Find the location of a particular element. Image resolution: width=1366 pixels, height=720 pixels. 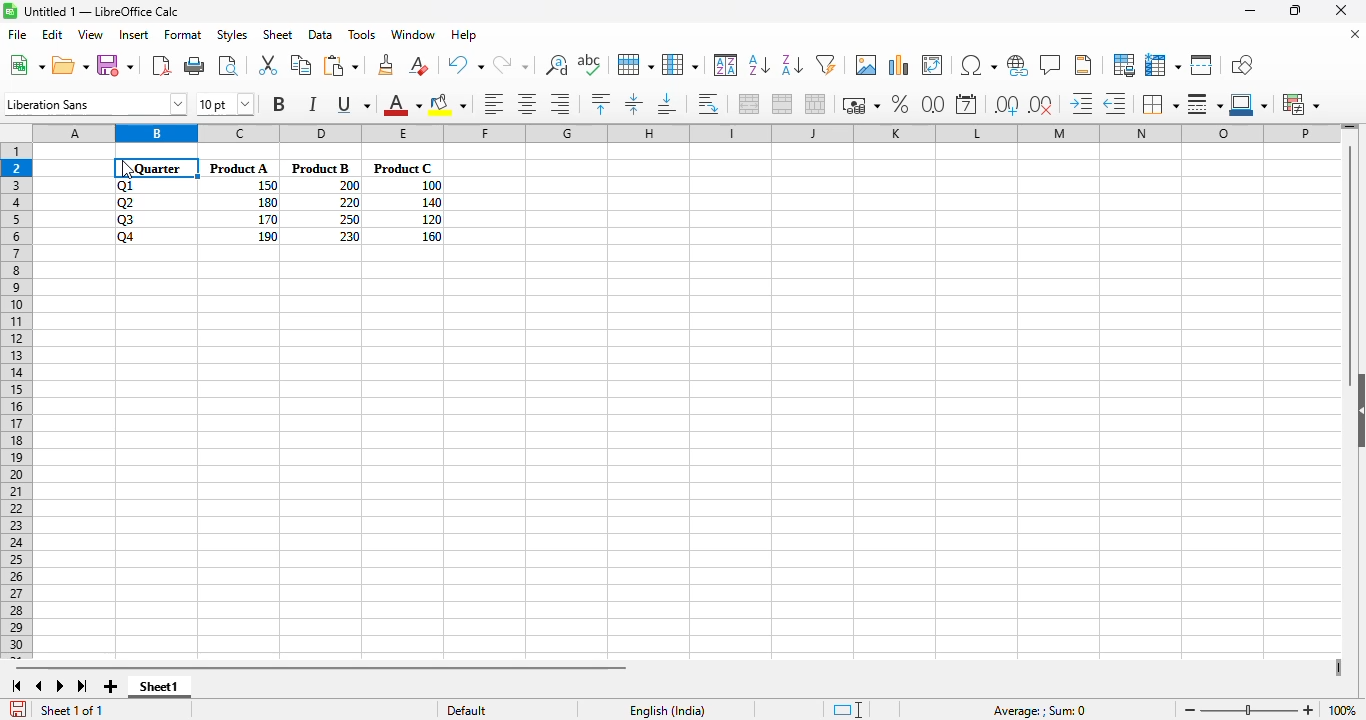

140 is located at coordinates (431, 203).